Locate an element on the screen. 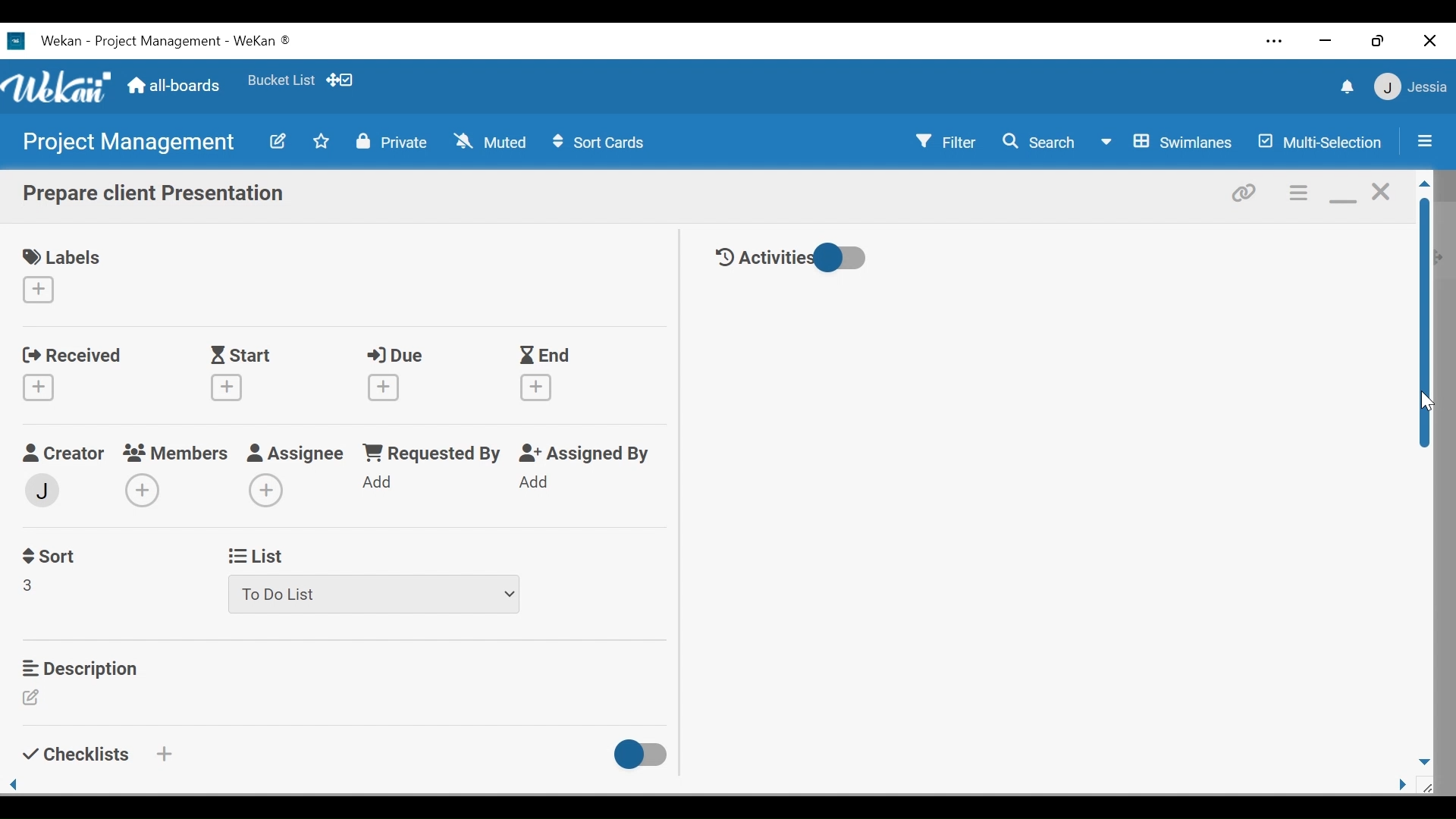 This screenshot has height=819, width=1456. Assigned By is located at coordinates (582, 453).